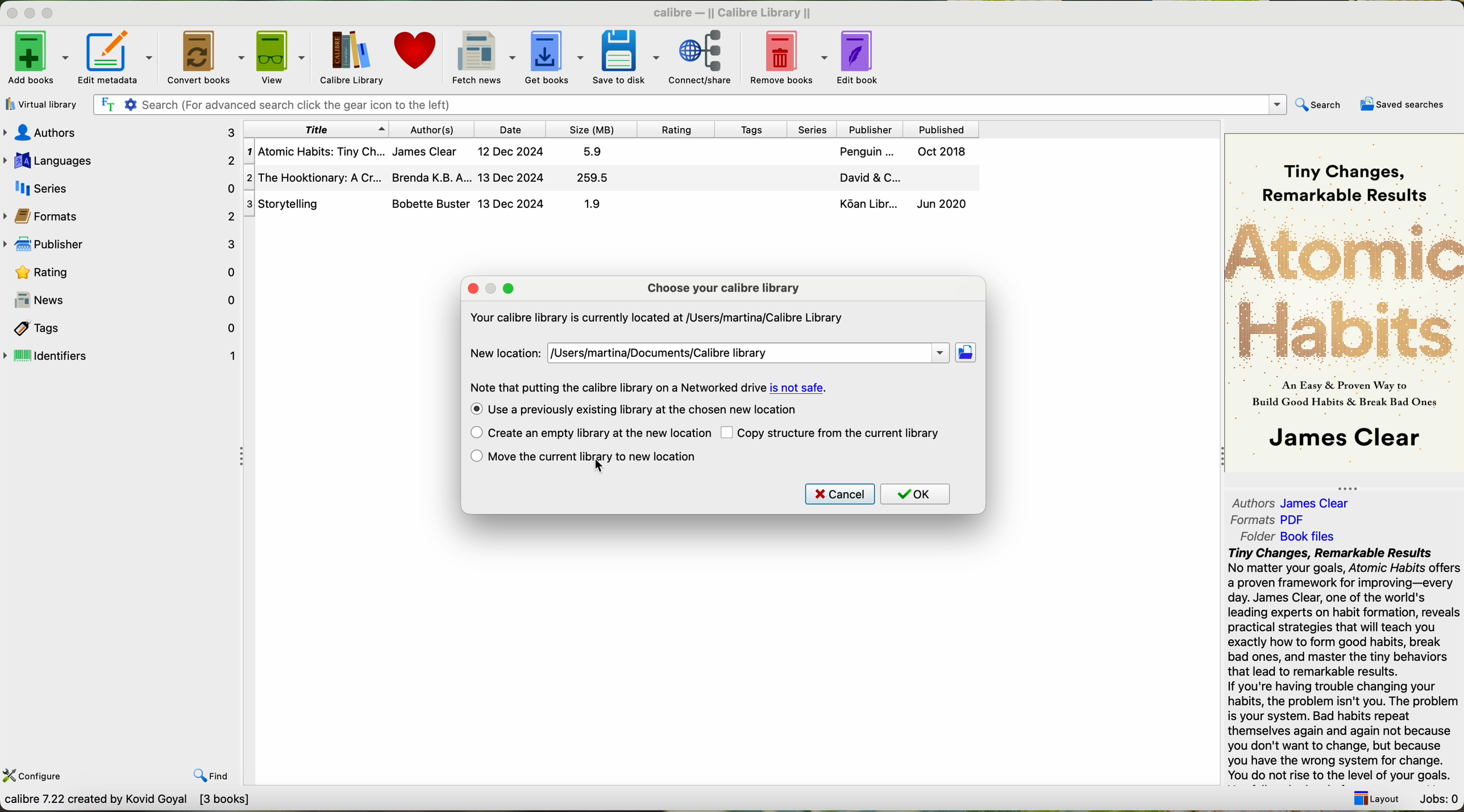 Image resolution: width=1464 pixels, height=812 pixels. Describe the element at coordinates (731, 13) in the screenshot. I see `calibre — || Calibre Library ||` at that location.